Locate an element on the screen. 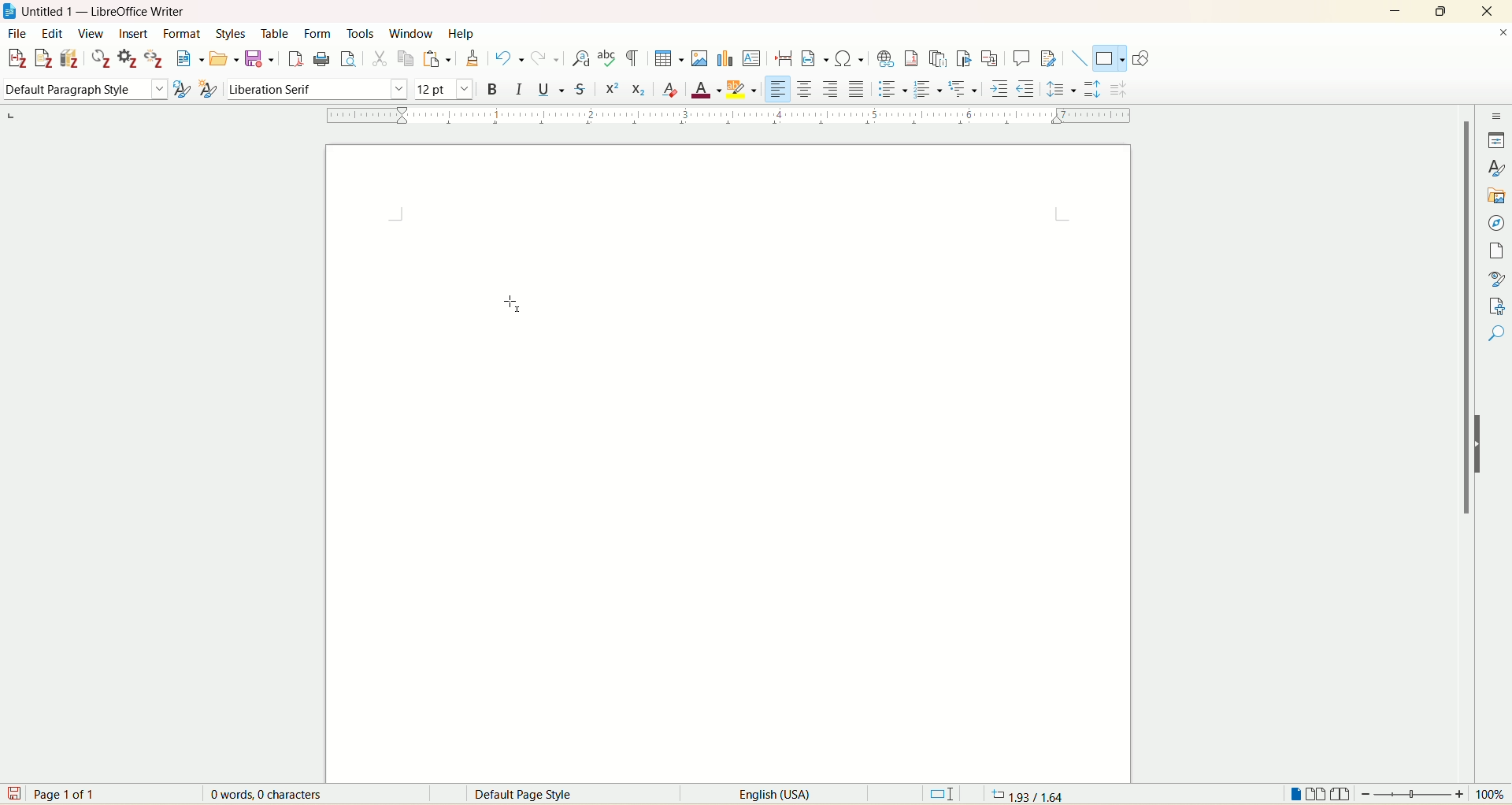  decrease indent is located at coordinates (1026, 88).